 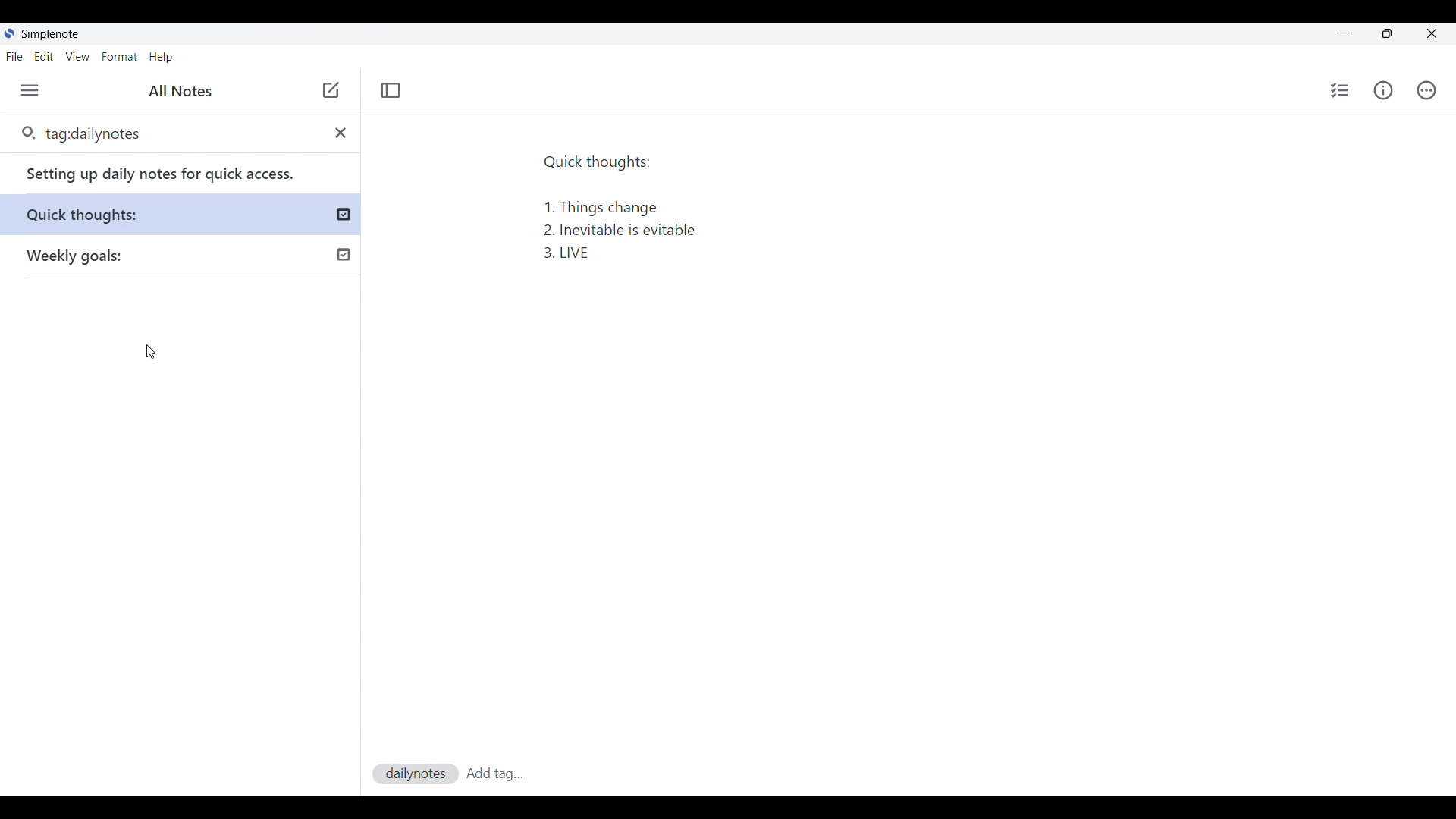 I want to click on dailynotes, so click(x=414, y=772).